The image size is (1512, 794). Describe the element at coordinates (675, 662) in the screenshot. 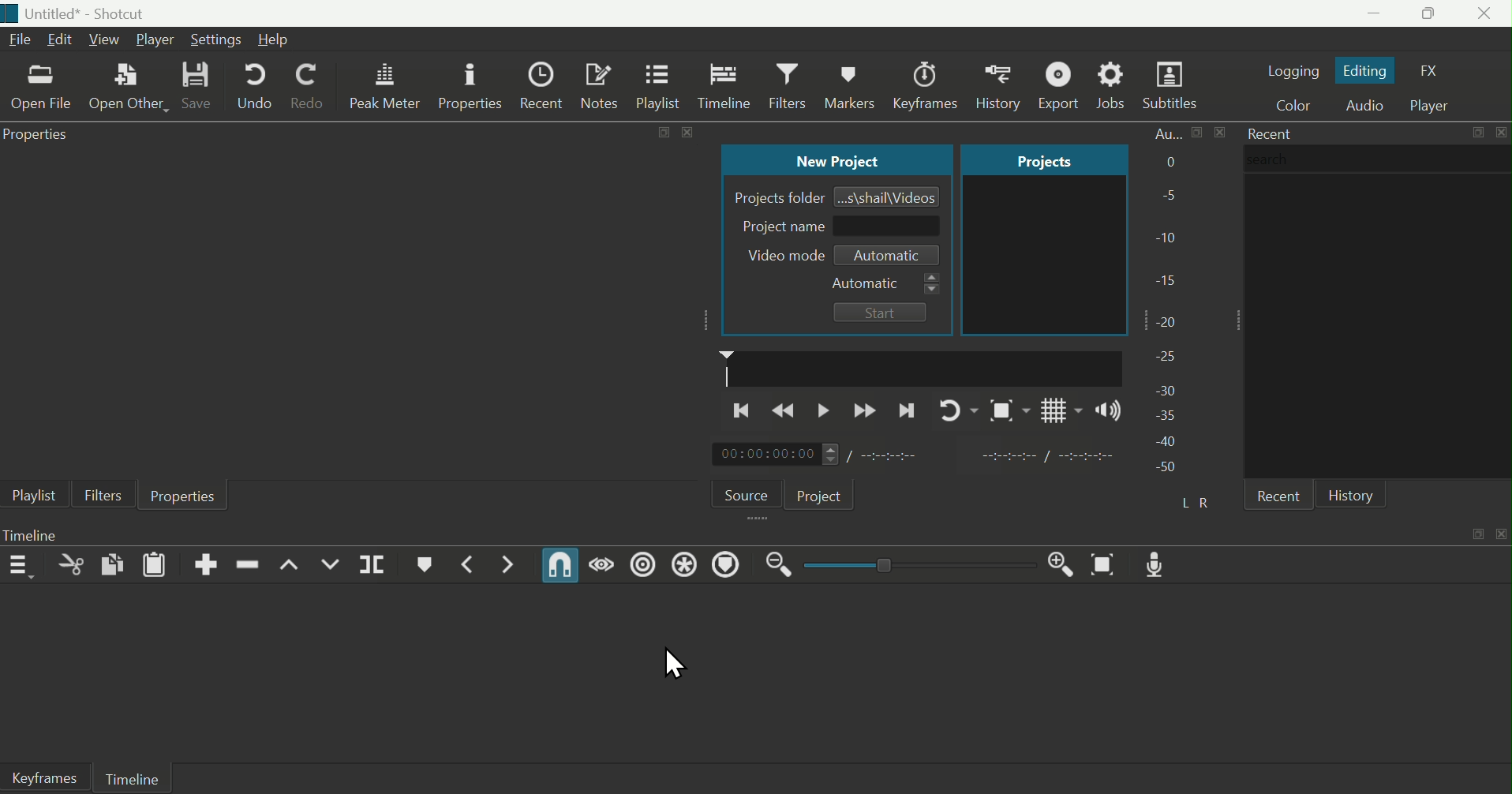

I see `mouse` at that location.